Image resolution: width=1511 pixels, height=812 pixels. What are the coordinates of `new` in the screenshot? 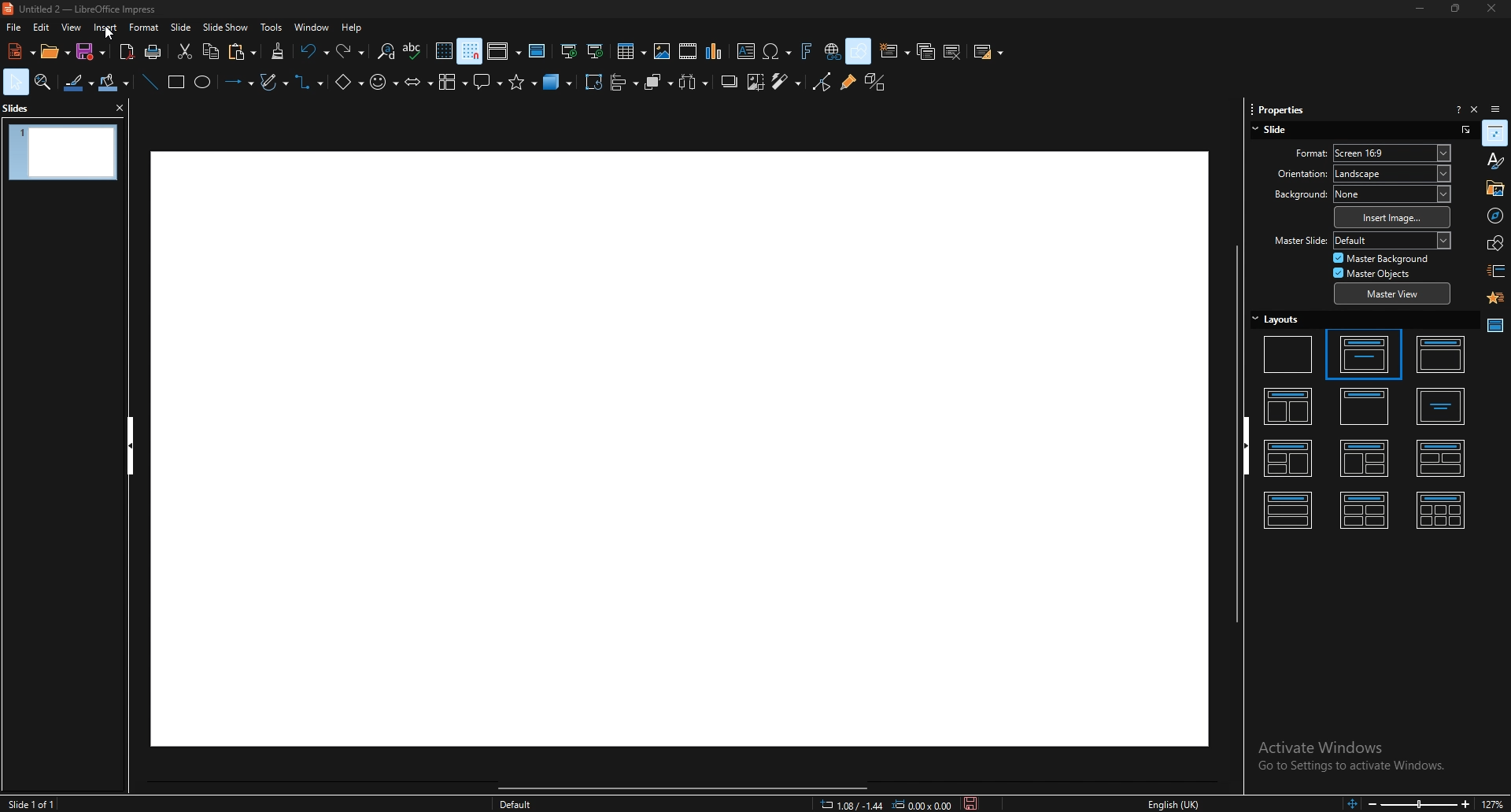 It's located at (19, 51).